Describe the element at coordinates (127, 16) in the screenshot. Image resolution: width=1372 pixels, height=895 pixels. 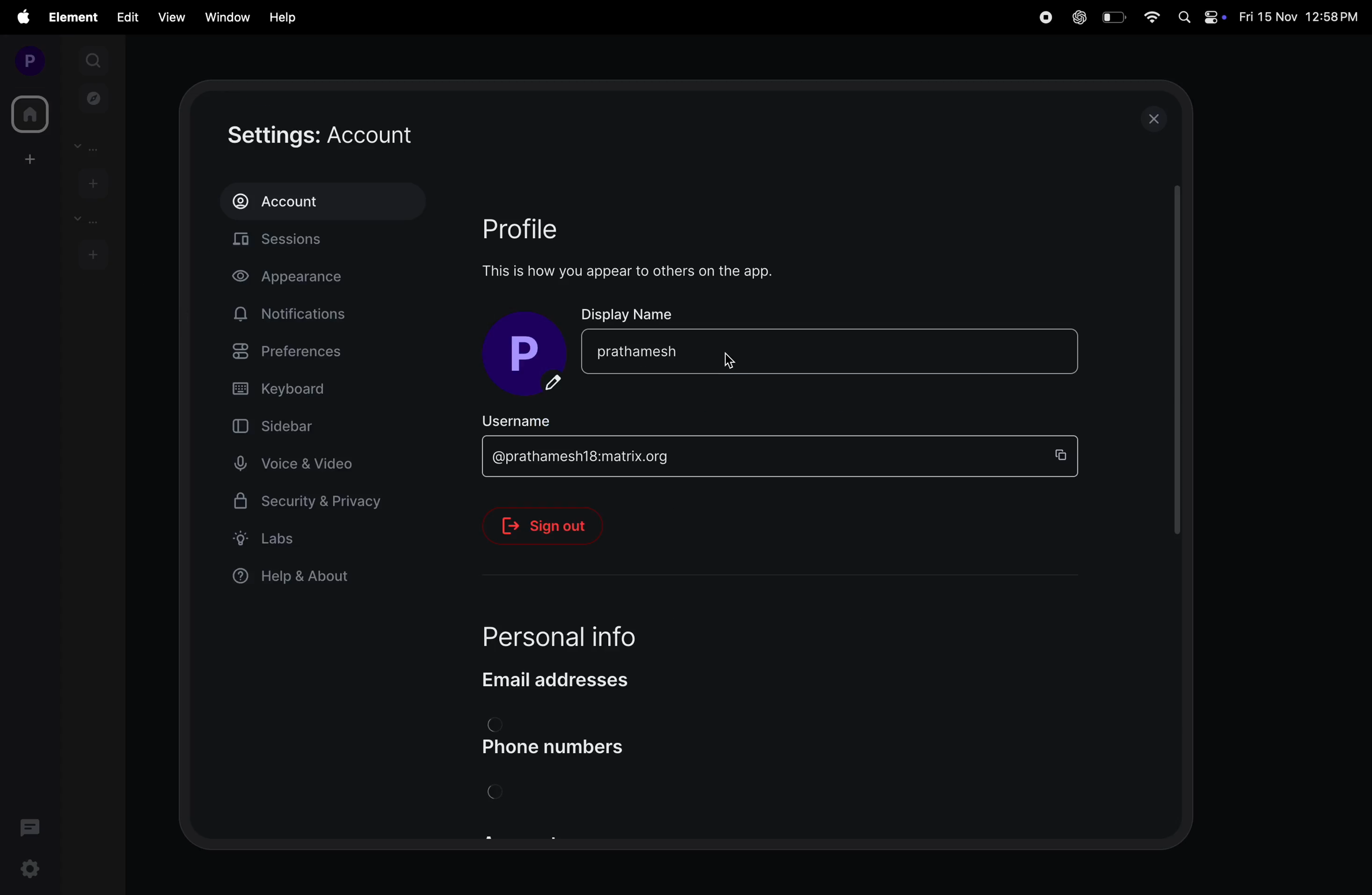
I see `edit` at that location.